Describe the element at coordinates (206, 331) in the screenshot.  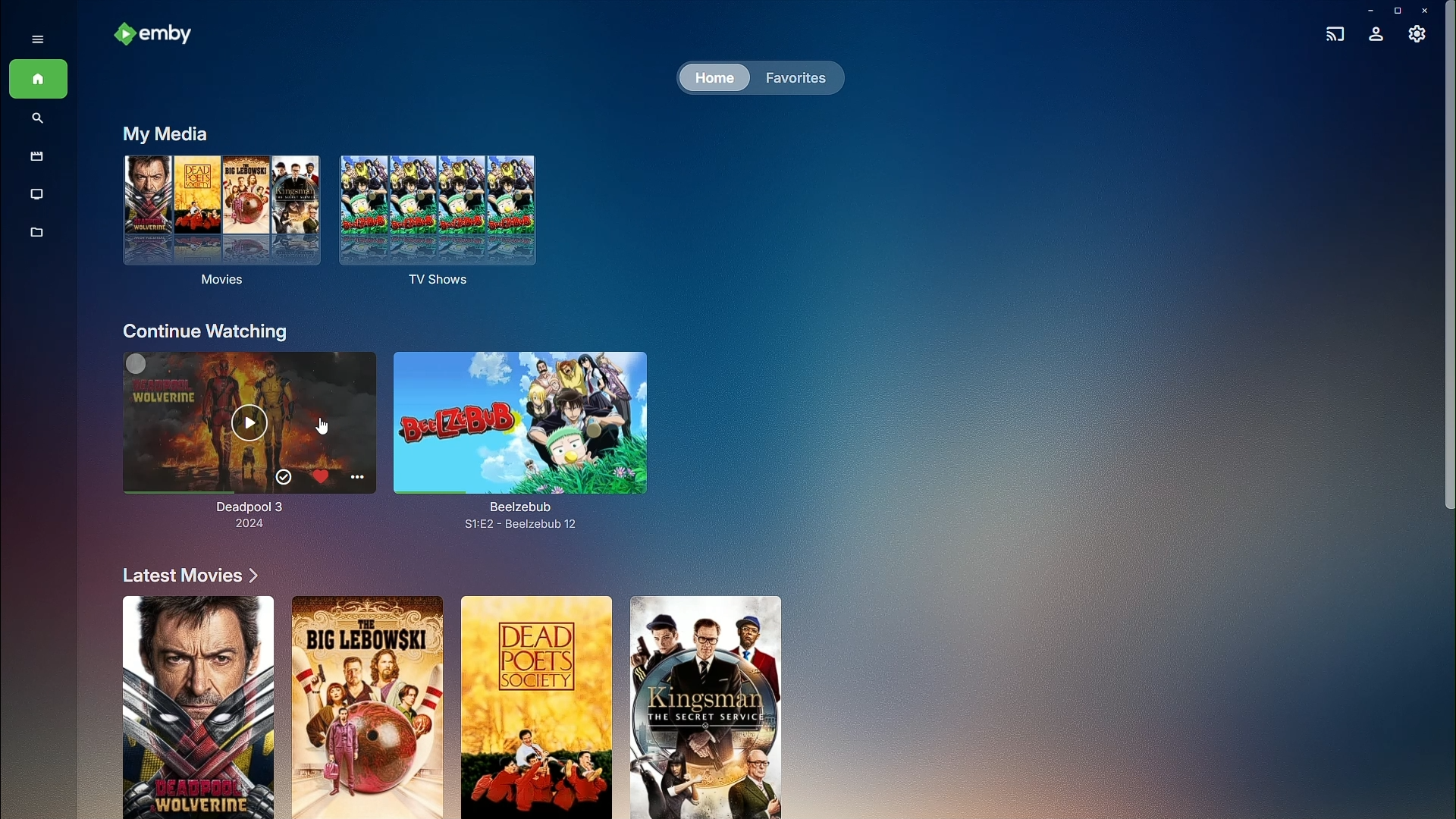
I see `Continue Watching` at that location.